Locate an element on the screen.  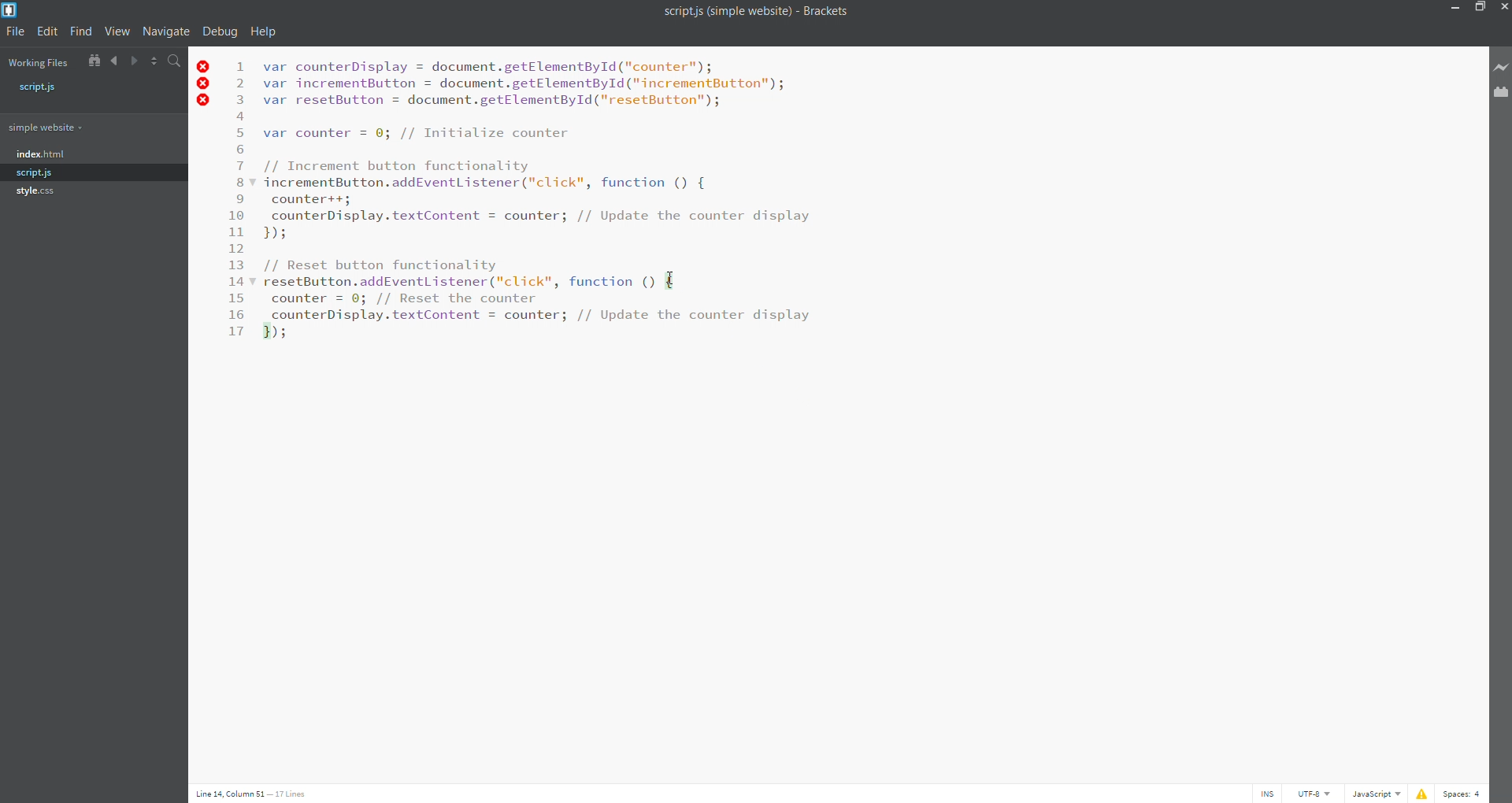
function name is located at coordinates (458, 271).